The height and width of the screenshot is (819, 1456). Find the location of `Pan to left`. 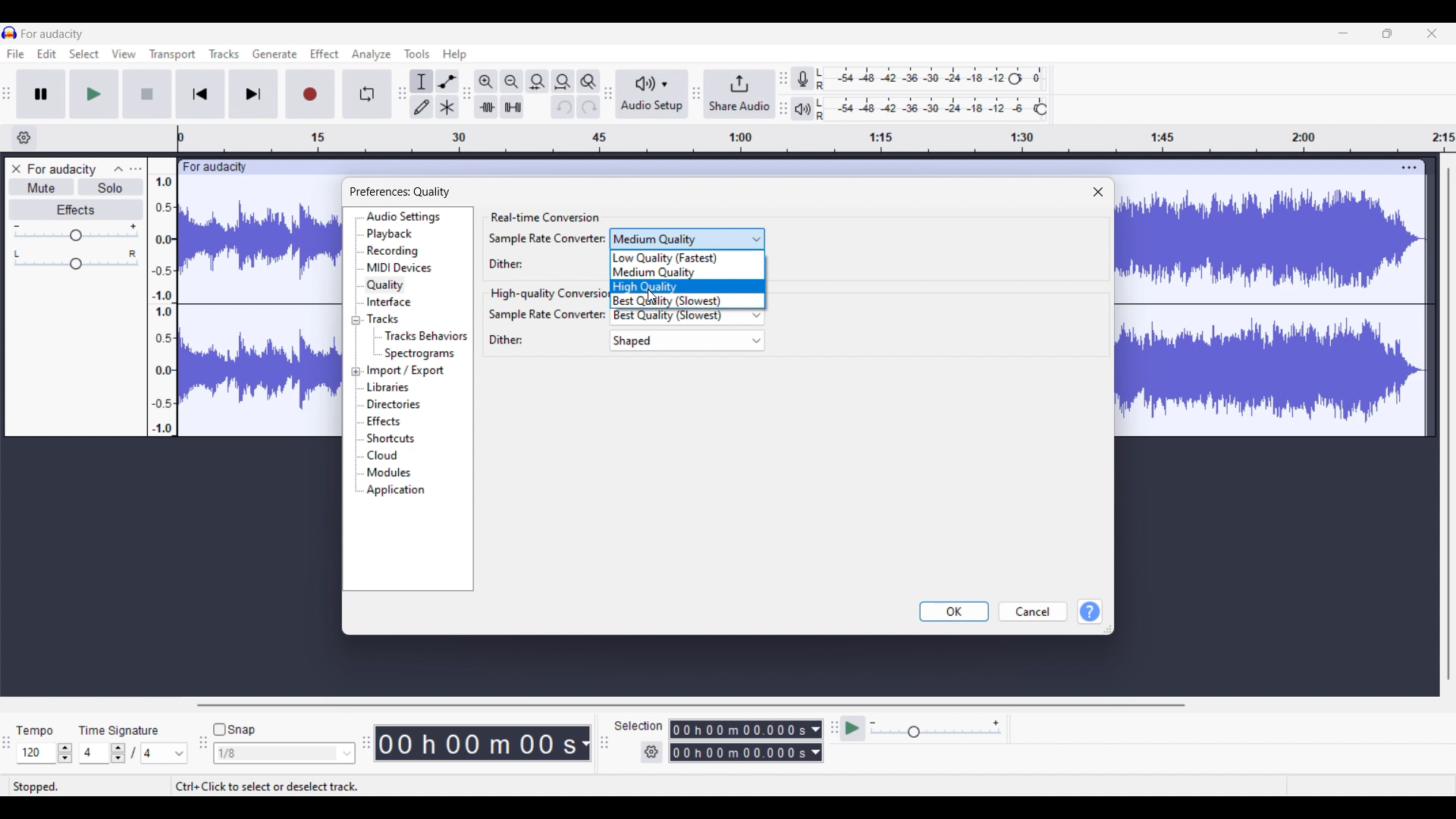

Pan to left is located at coordinates (17, 254).